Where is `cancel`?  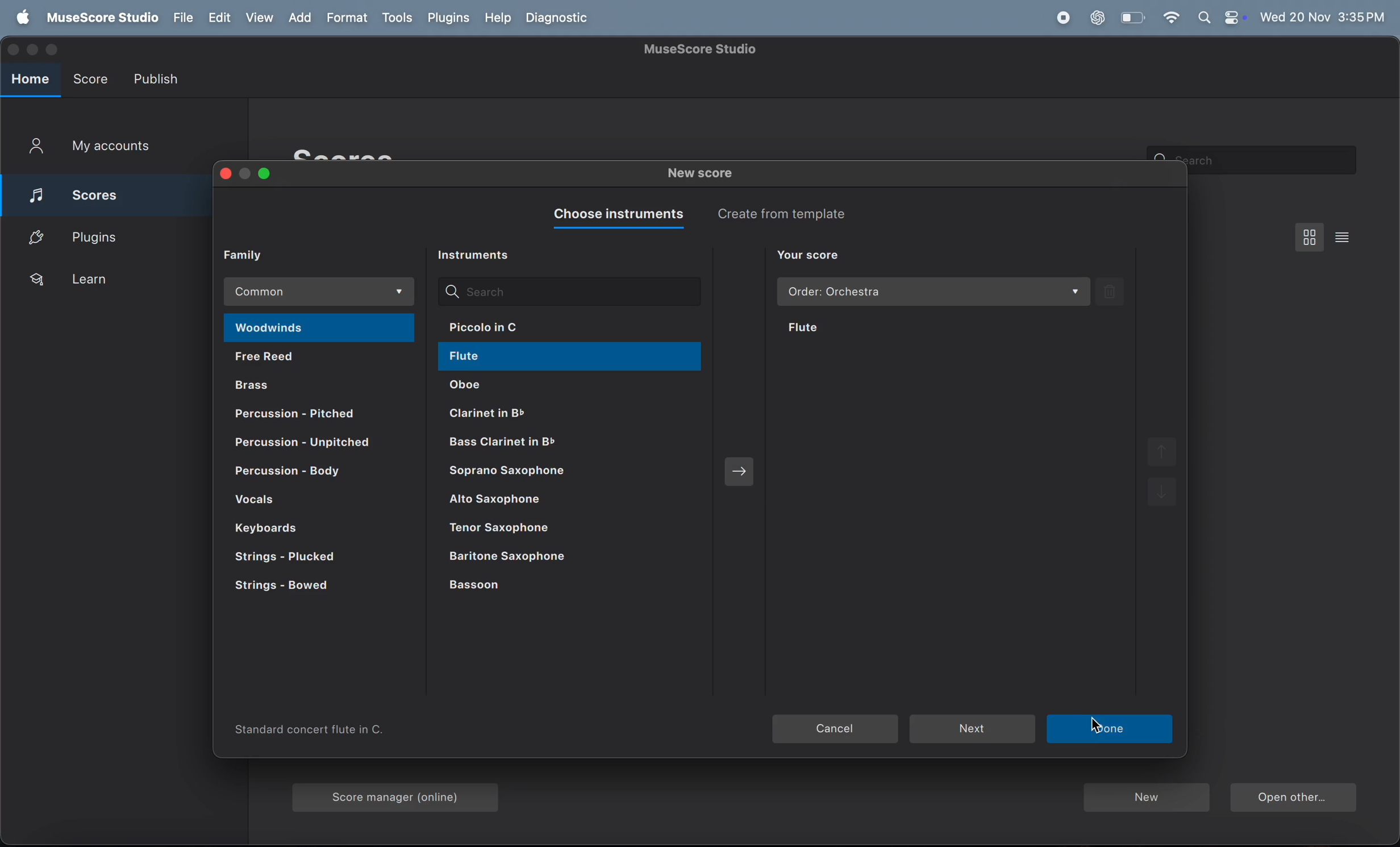
cancel is located at coordinates (836, 730).